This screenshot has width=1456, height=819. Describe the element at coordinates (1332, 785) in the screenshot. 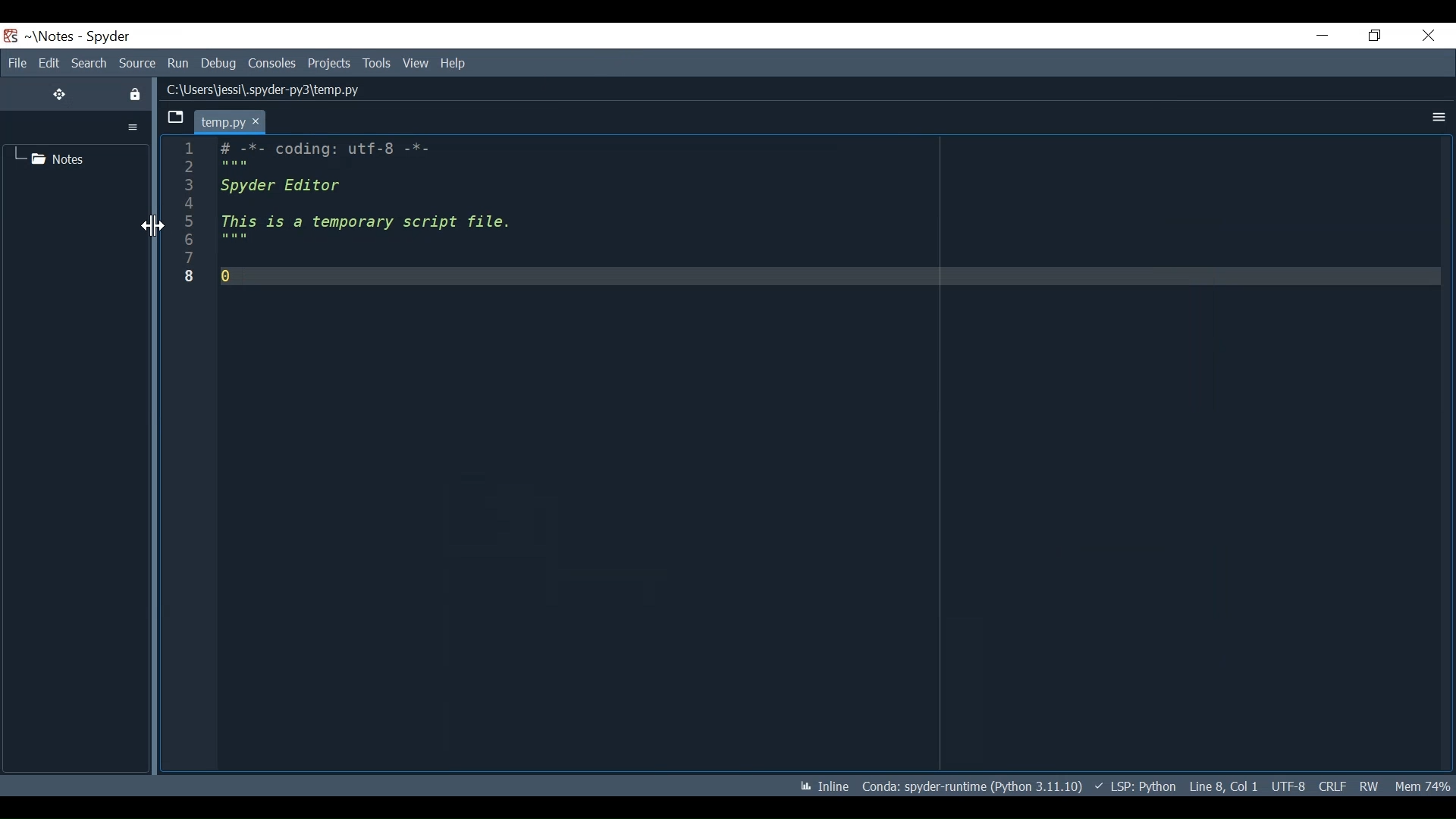

I see `CRLF` at that location.